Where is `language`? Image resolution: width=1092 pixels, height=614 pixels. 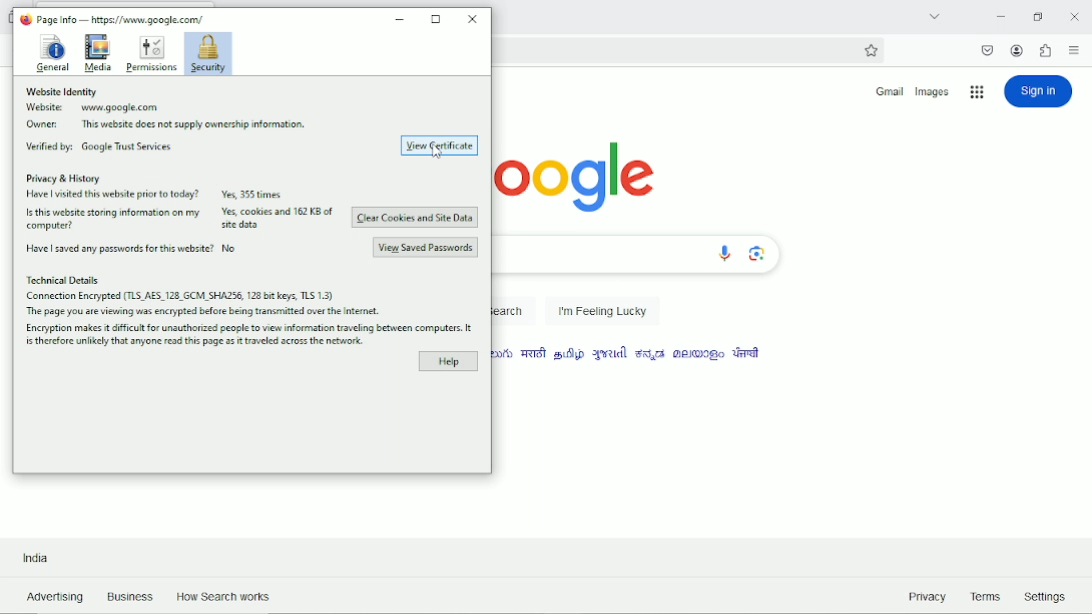 language is located at coordinates (608, 355).